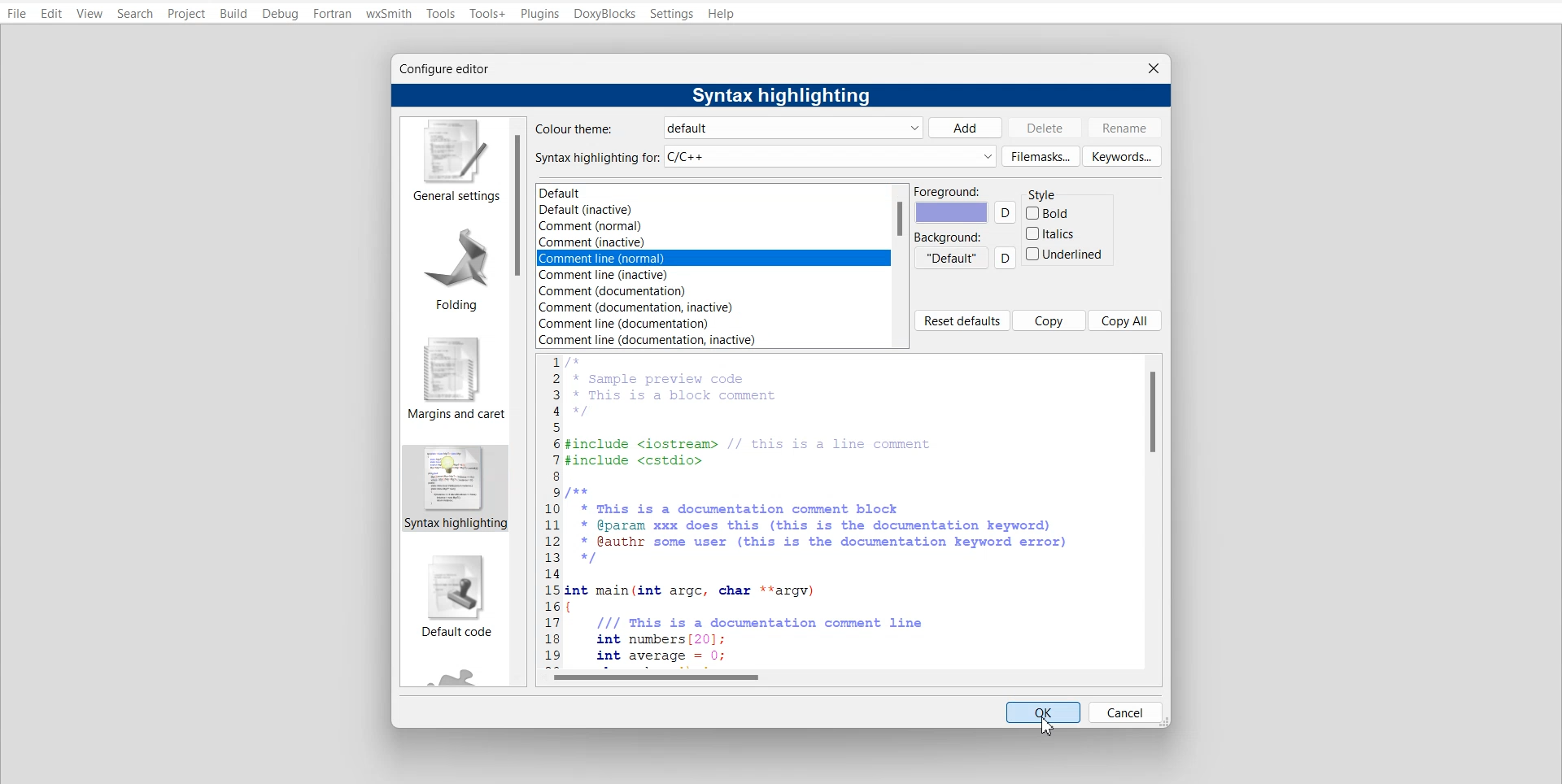 The image size is (1562, 784). Describe the element at coordinates (1124, 156) in the screenshot. I see `Keywords` at that location.